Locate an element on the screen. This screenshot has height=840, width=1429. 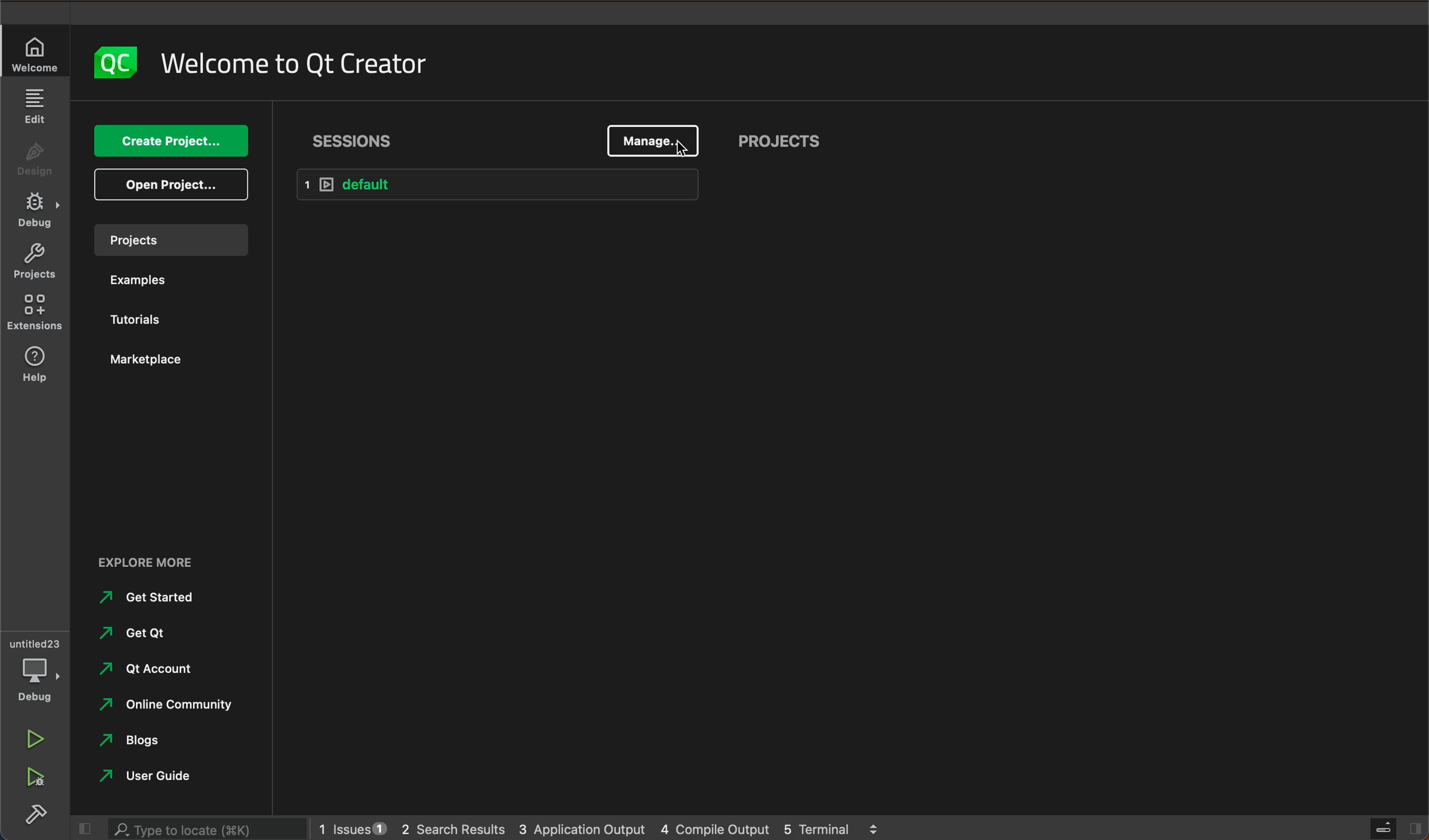
get started is located at coordinates (153, 597).